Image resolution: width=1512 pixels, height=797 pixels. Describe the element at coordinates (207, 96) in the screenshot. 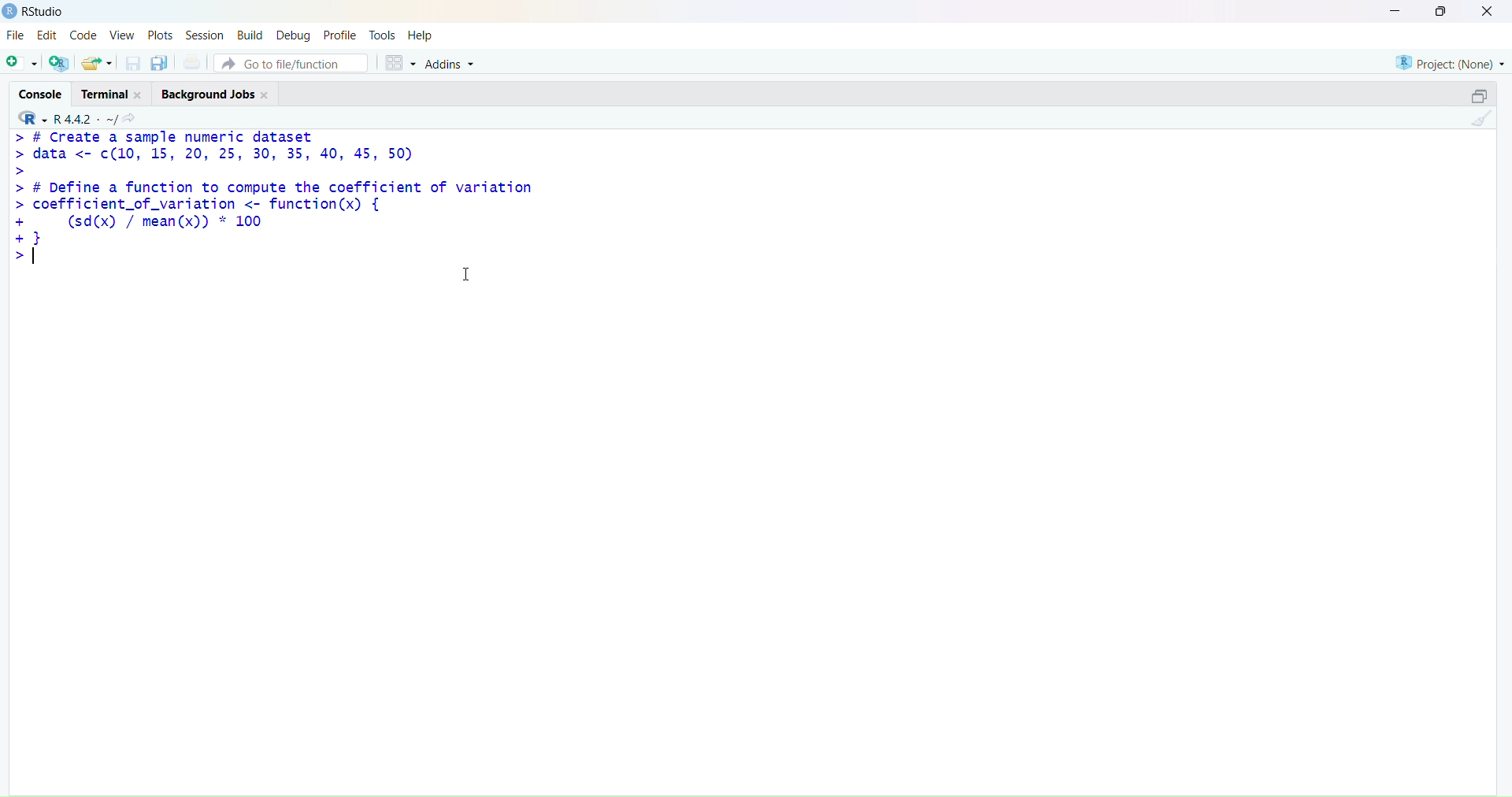

I see `Background jobs` at that location.